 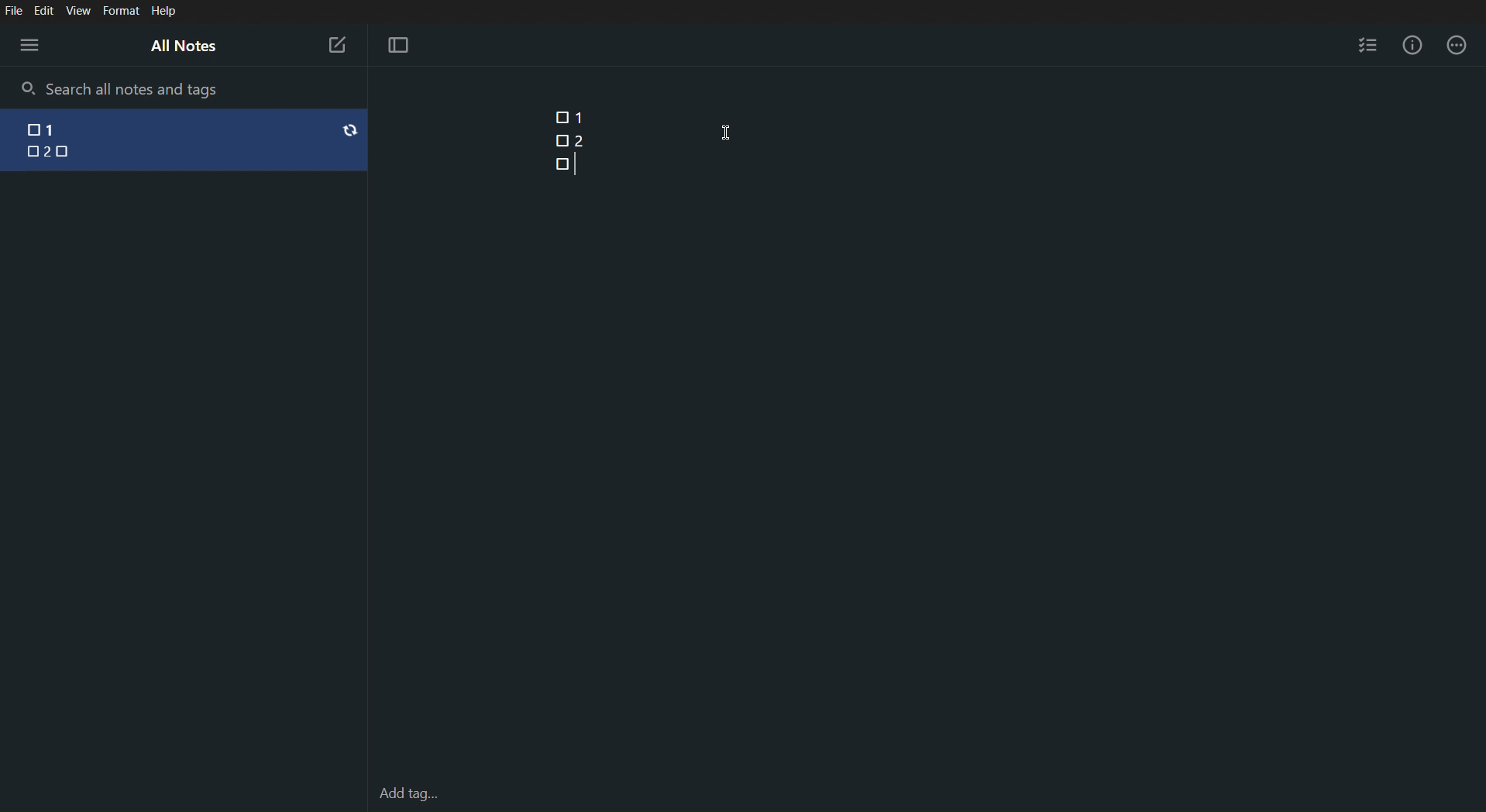 What do you see at coordinates (350, 129) in the screenshot?
I see `reset` at bounding box center [350, 129].